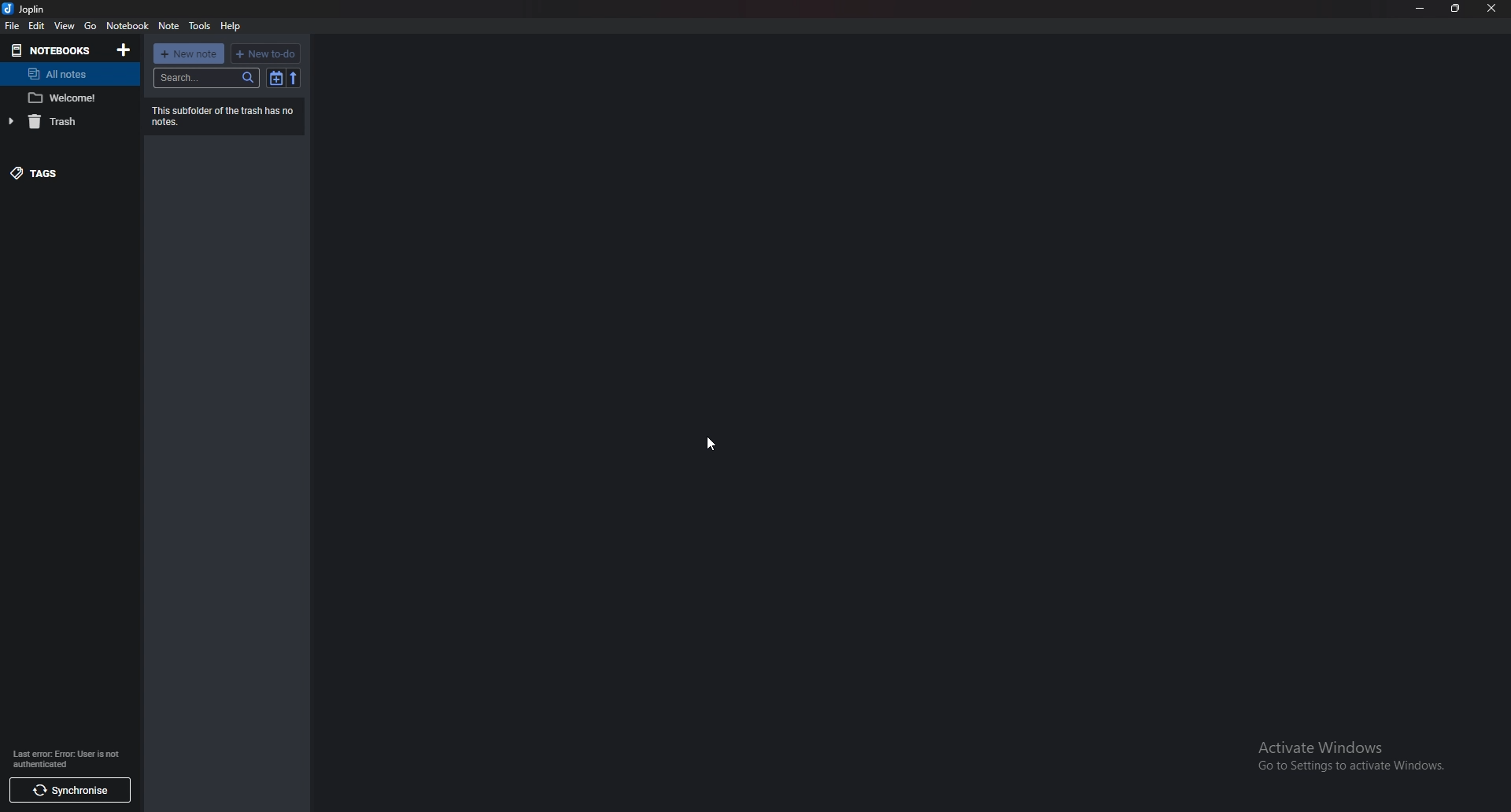 The height and width of the screenshot is (812, 1511). Describe the element at coordinates (90, 26) in the screenshot. I see `Go` at that location.